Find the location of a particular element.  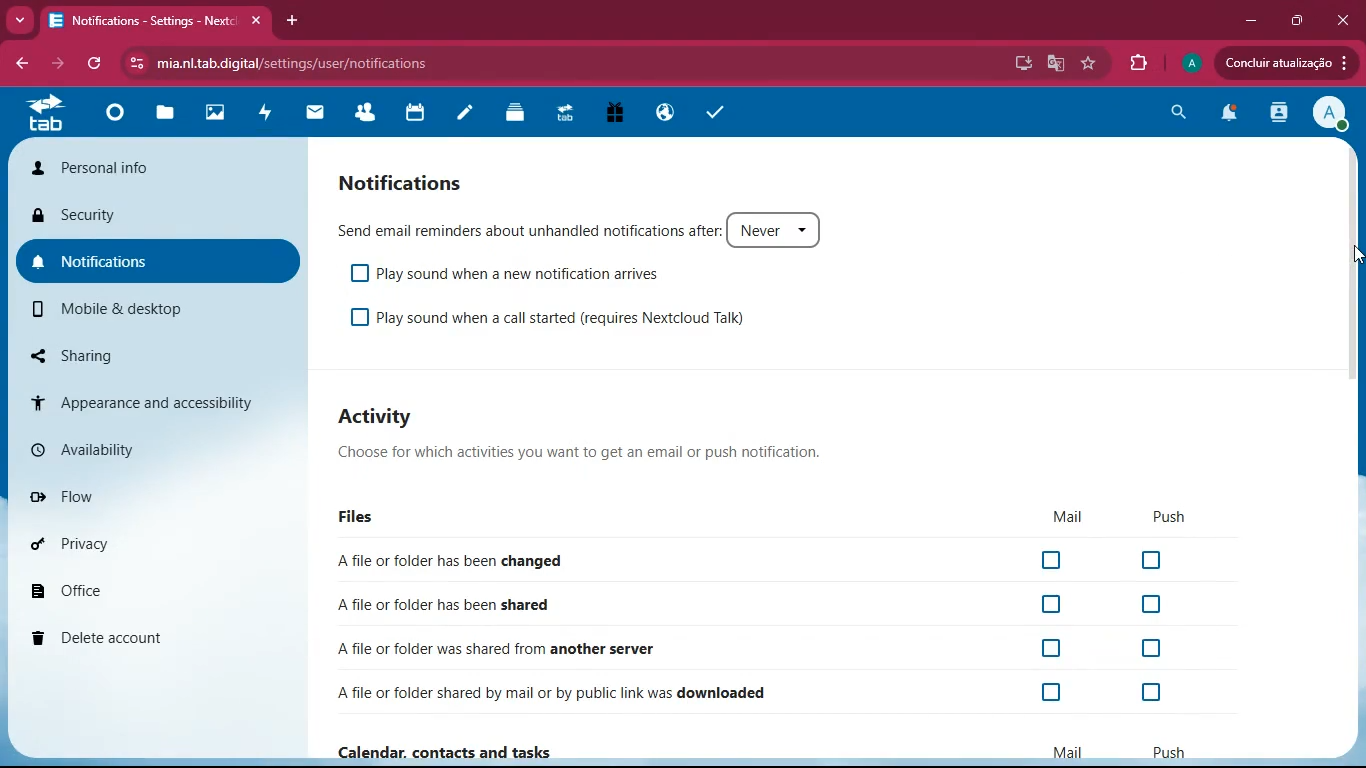

maximize is located at coordinates (1296, 20).